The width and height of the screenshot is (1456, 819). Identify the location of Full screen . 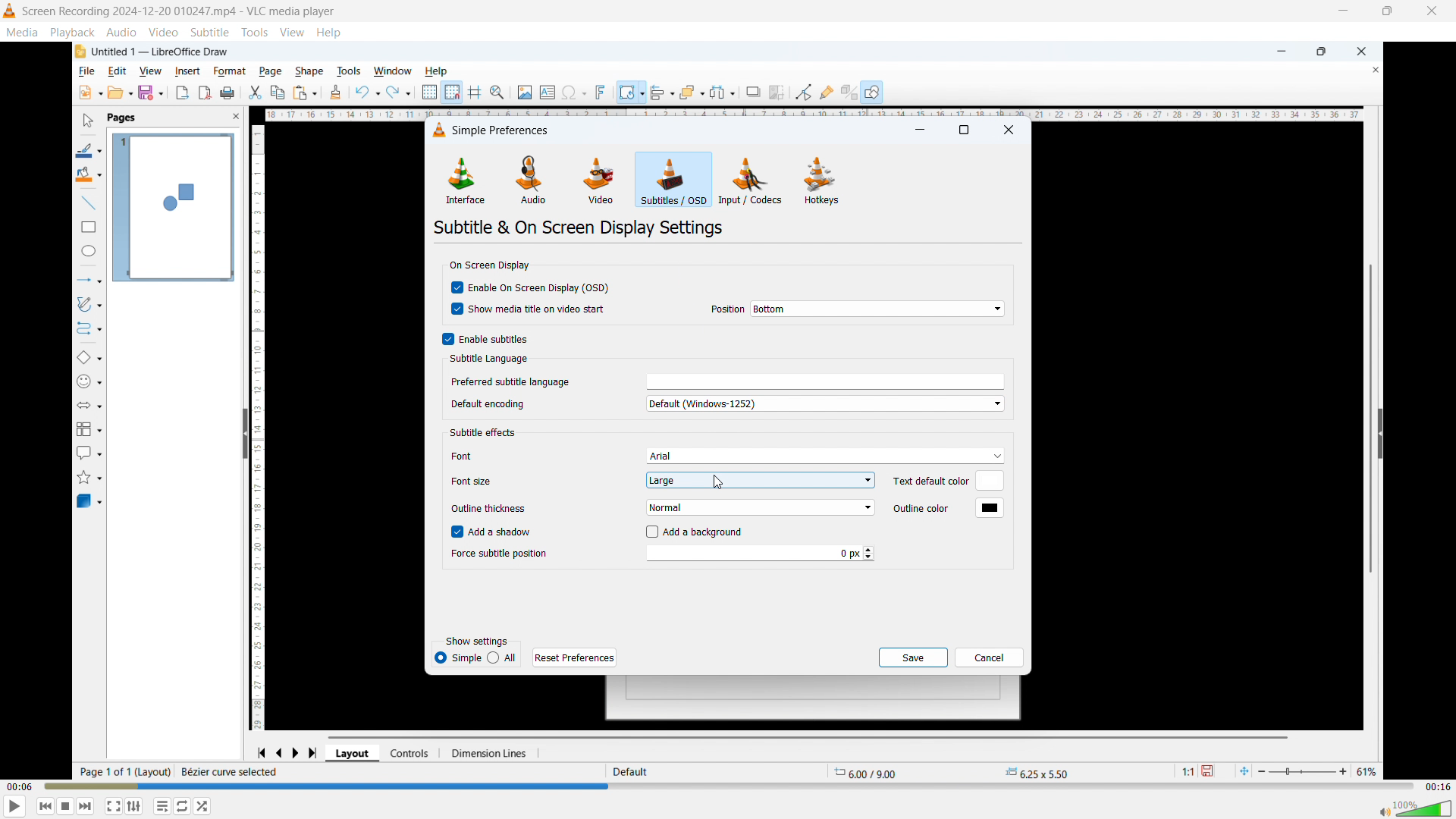
(114, 806).